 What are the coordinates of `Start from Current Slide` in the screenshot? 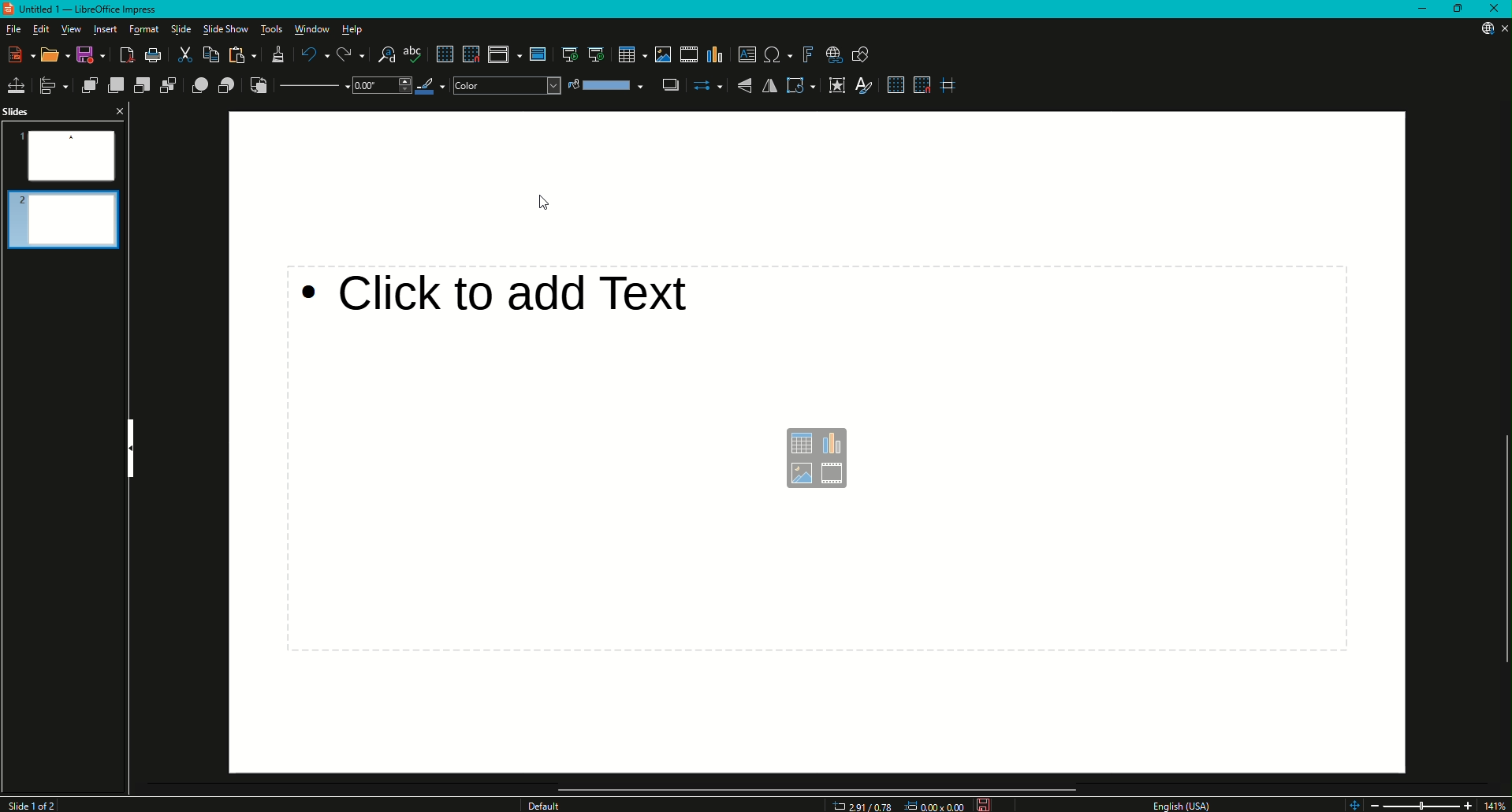 It's located at (594, 53).